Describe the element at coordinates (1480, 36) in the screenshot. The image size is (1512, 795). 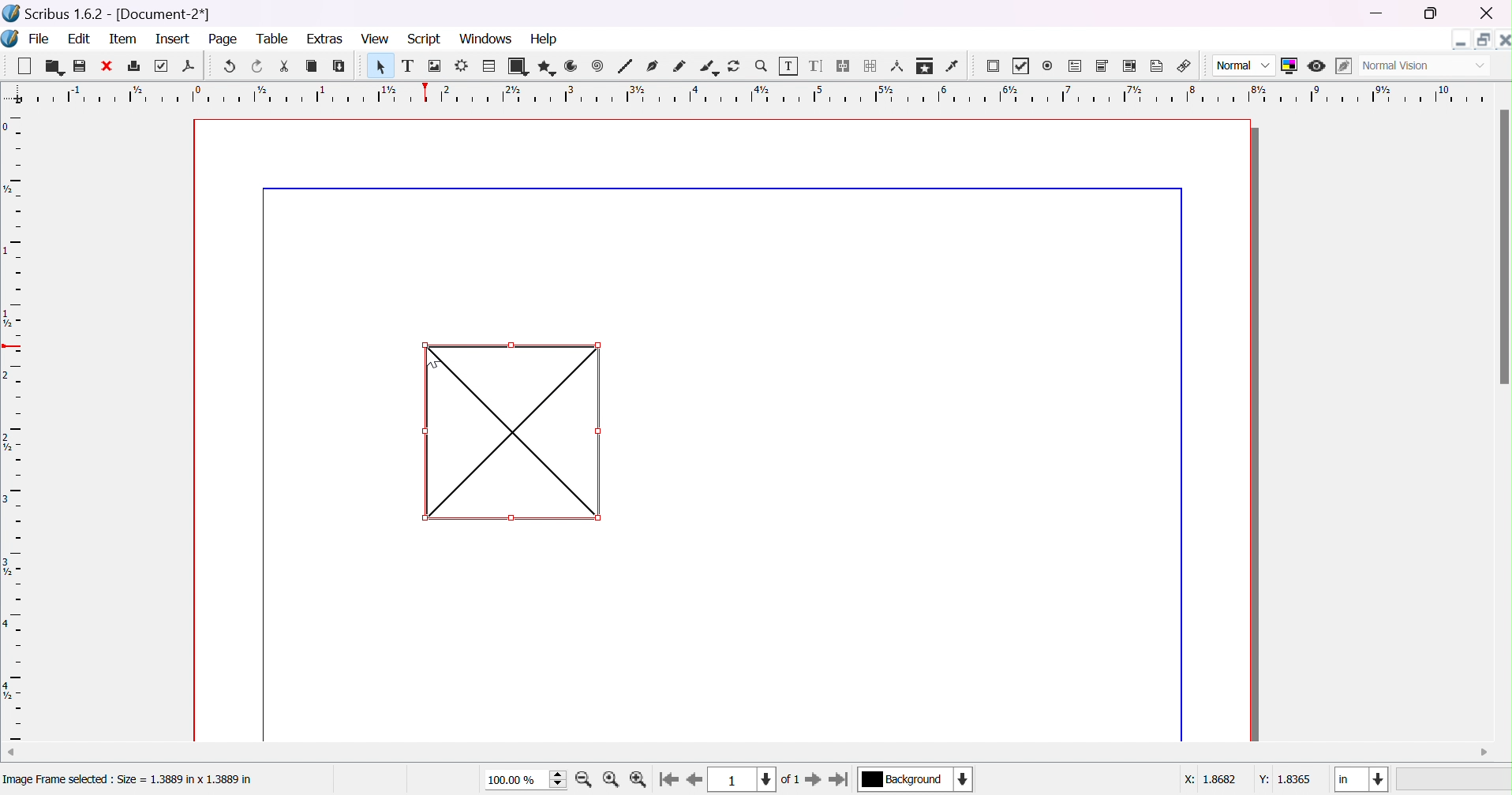
I see `restore down` at that location.